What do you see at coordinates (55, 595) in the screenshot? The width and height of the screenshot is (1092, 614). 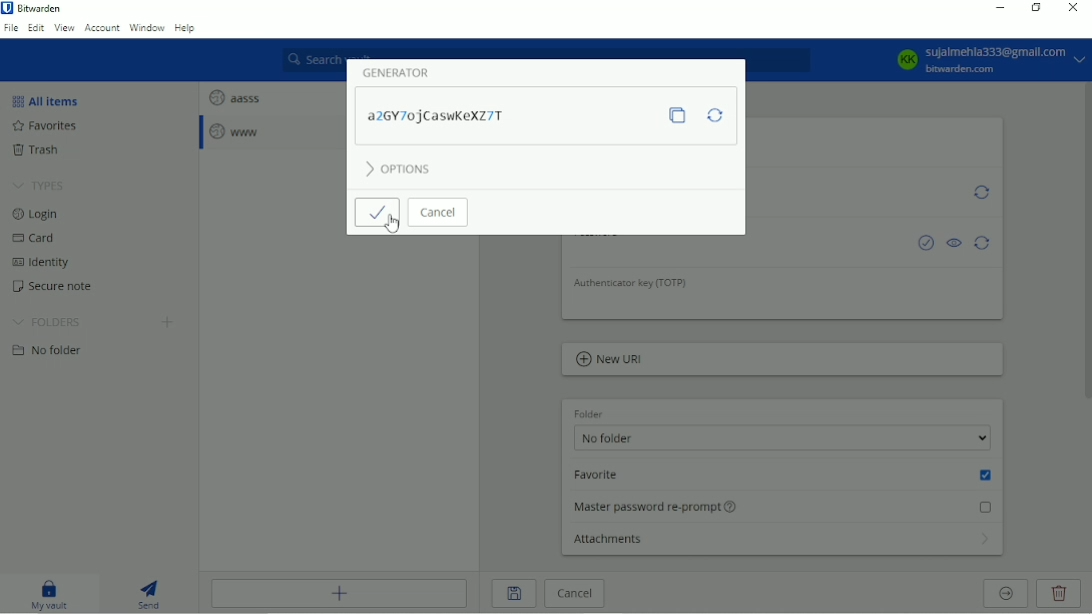 I see `My vault` at bounding box center [55, 595].